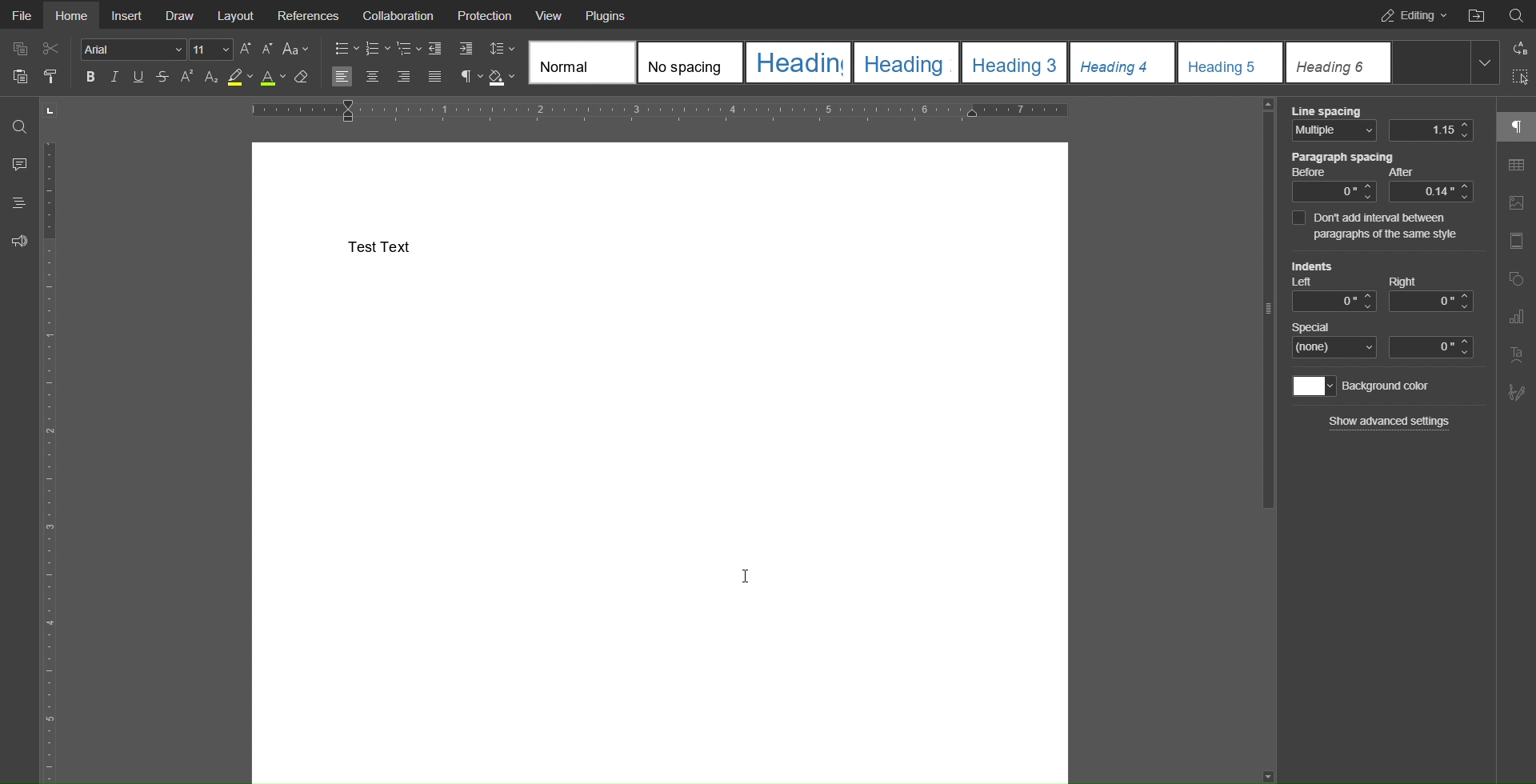  I want to click on Comment, so click(18, 164).